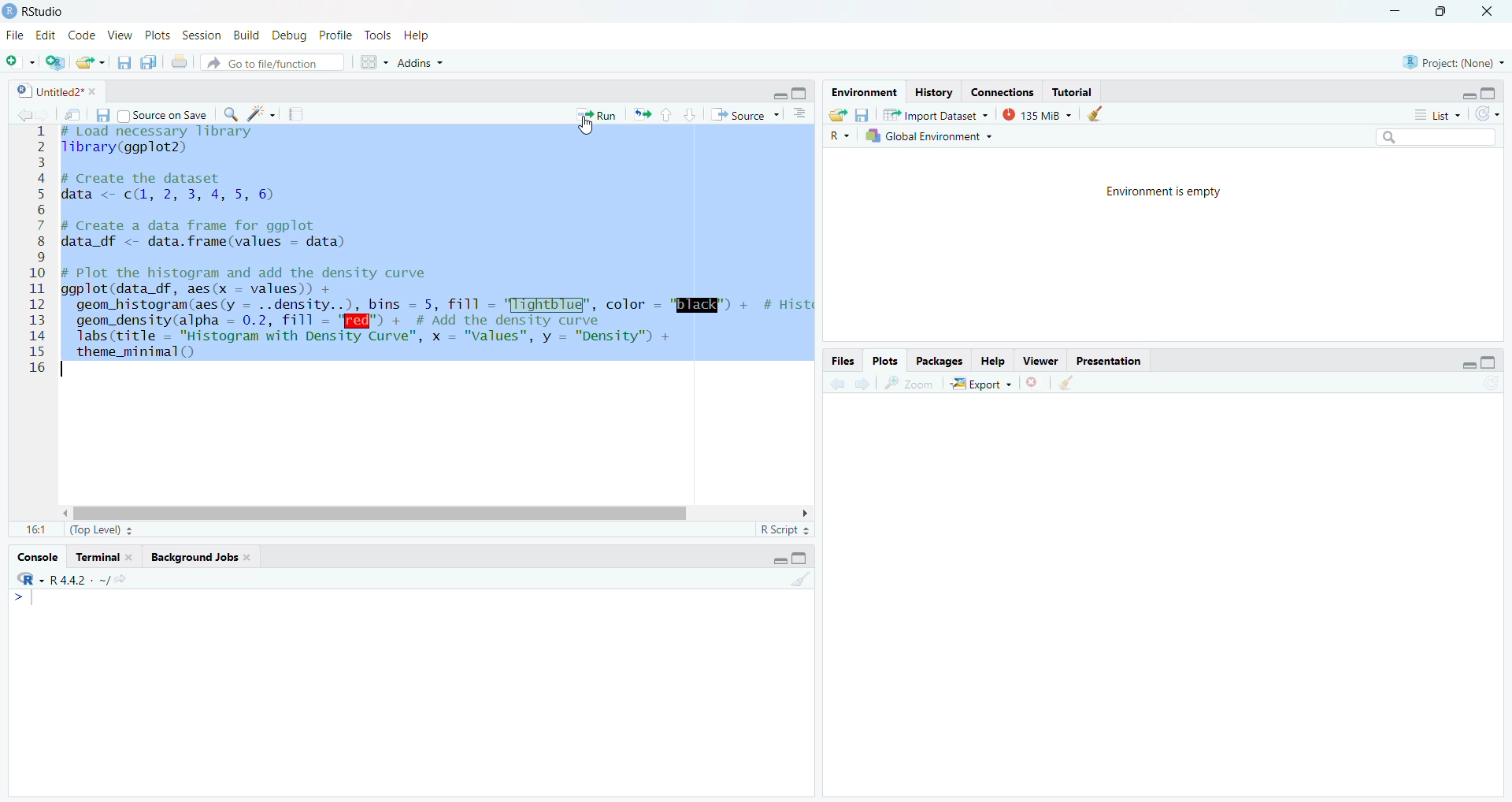  Describe the element at coordinates (36, 249) in the screenshot. I see `line number` at that location.